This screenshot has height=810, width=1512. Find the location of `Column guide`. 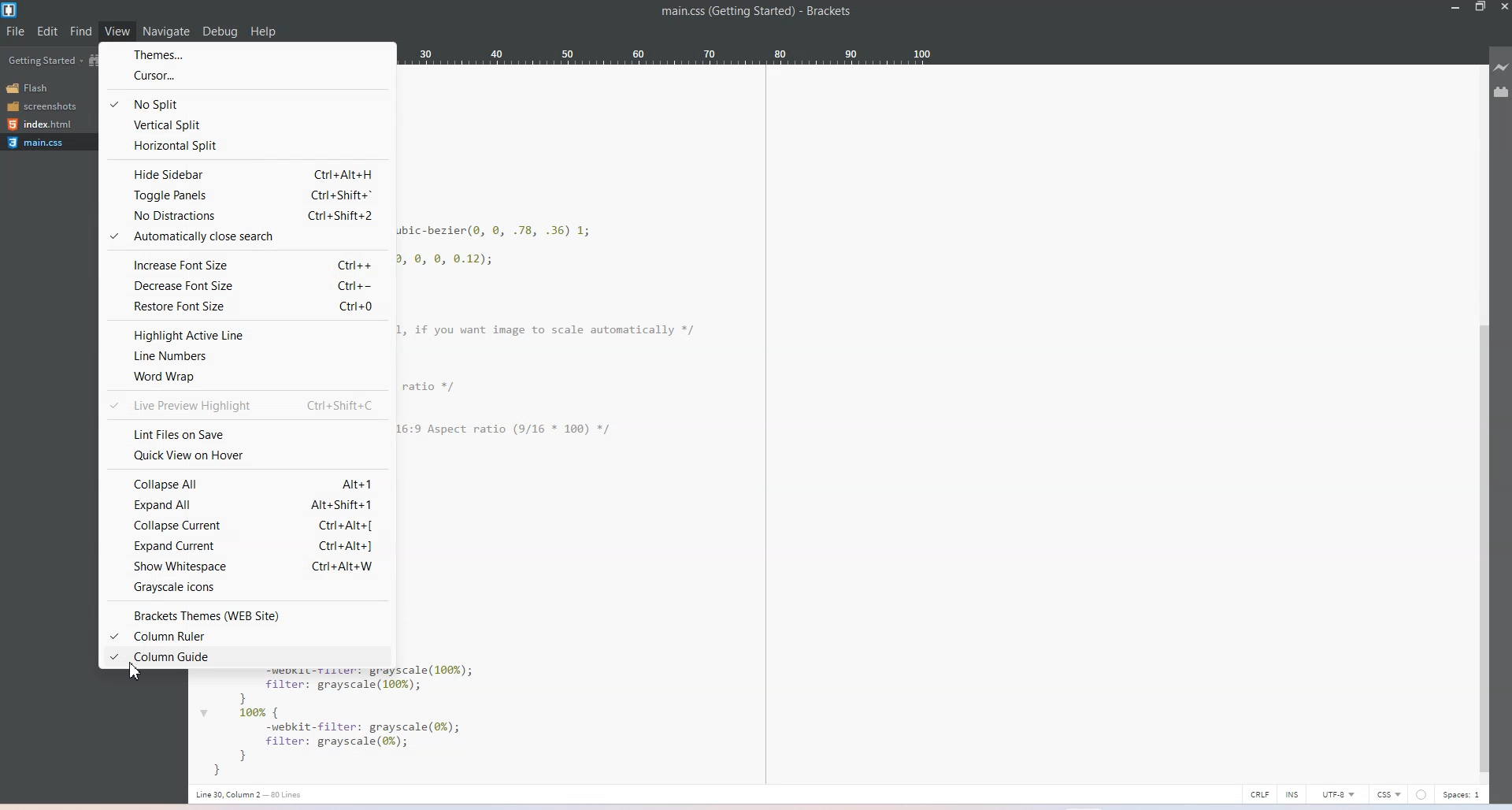

Column guide is located at coordinates (246, 658).